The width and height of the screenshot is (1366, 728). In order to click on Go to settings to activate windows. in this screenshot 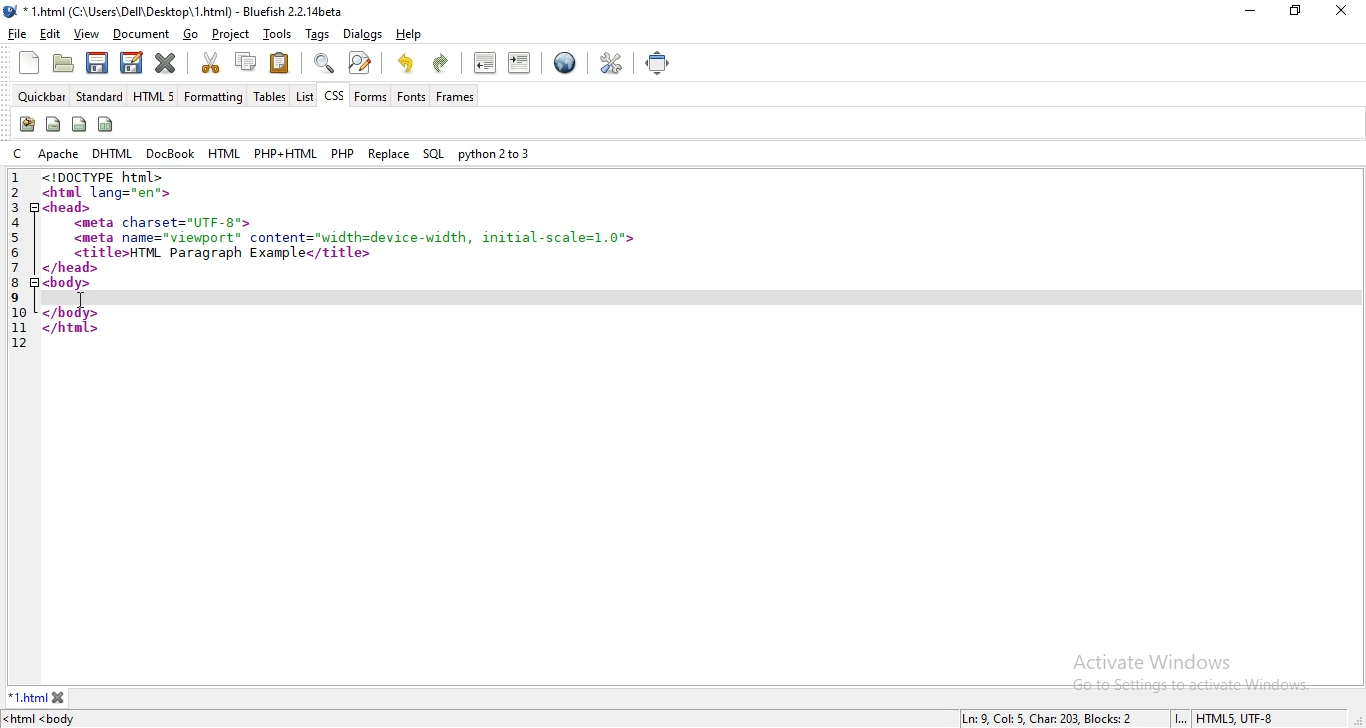, I will do `click(1193, 685)`.